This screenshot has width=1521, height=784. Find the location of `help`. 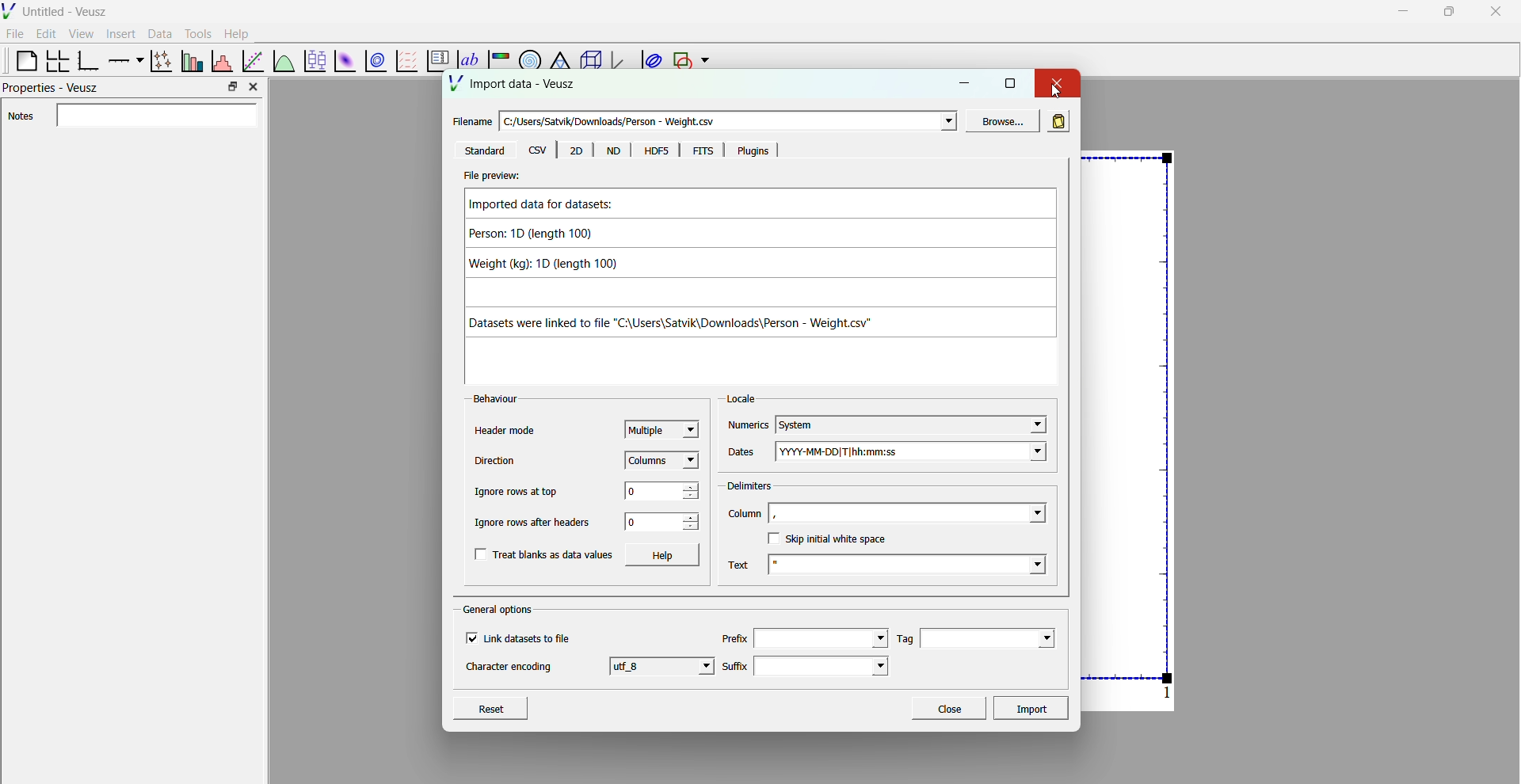

help is located at coordinates (237, 32).